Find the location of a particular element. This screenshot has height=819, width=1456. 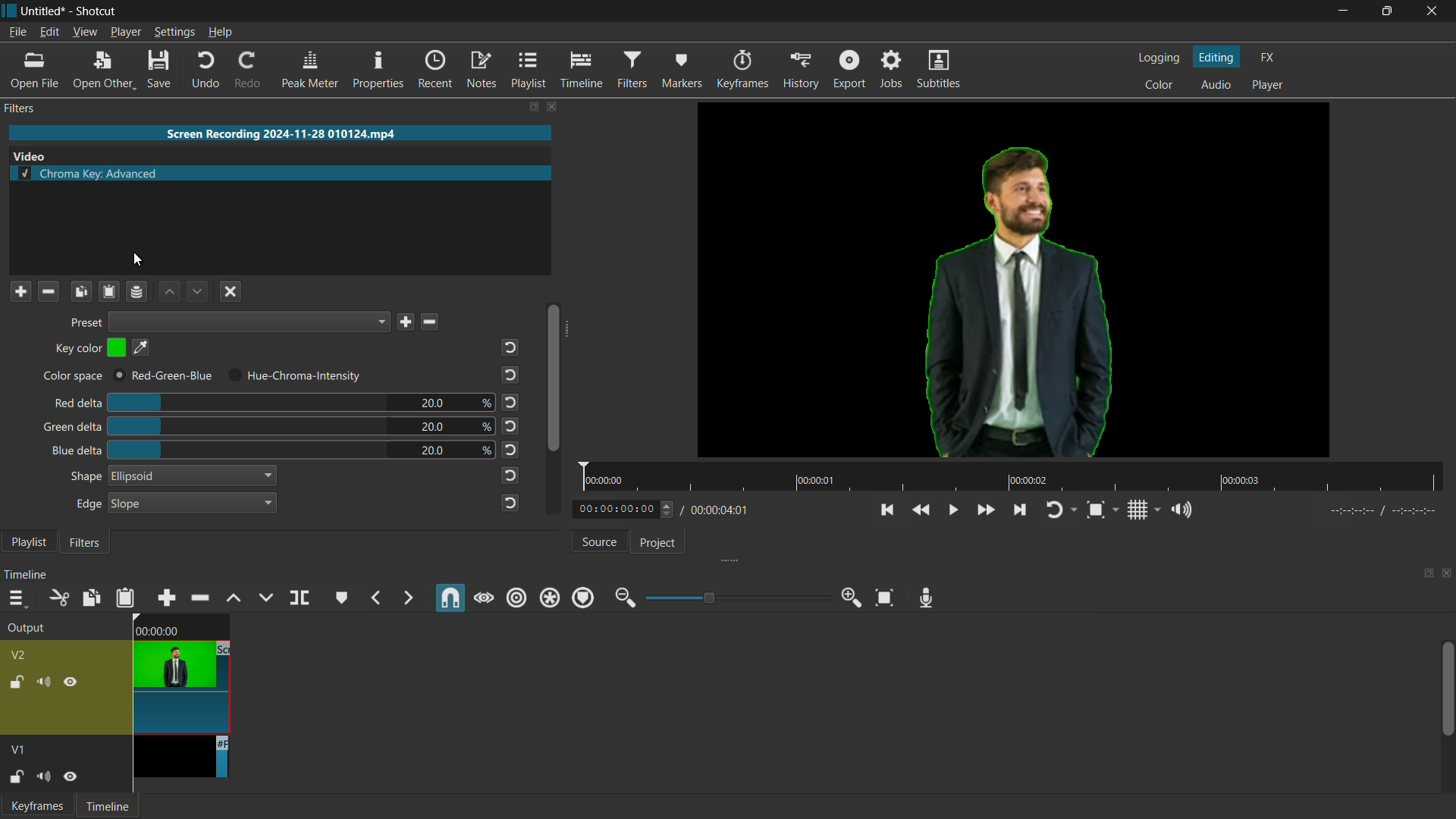

quickly play forward is located at coordinates (985, 510).